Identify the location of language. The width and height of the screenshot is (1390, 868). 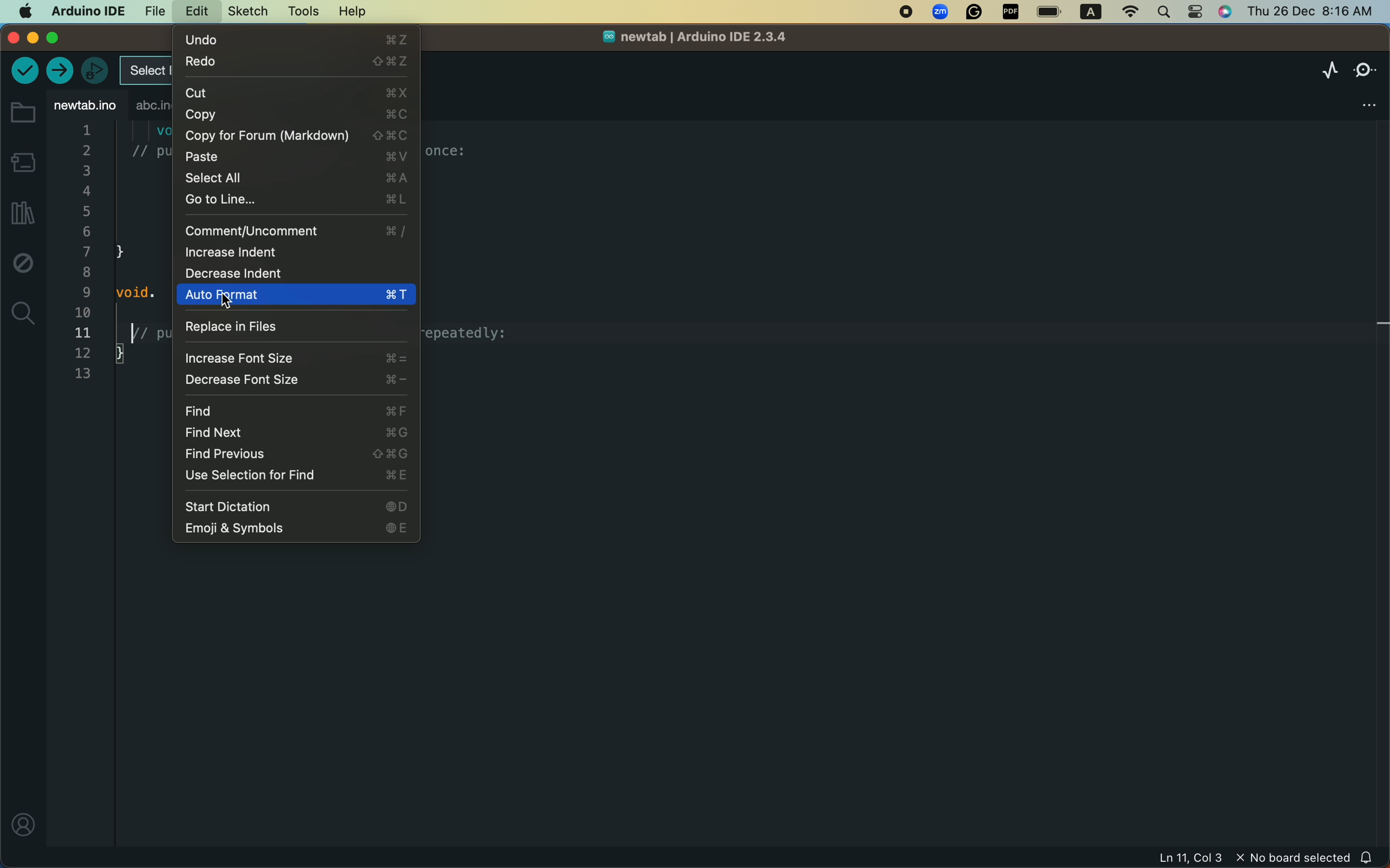
(1086, 13).